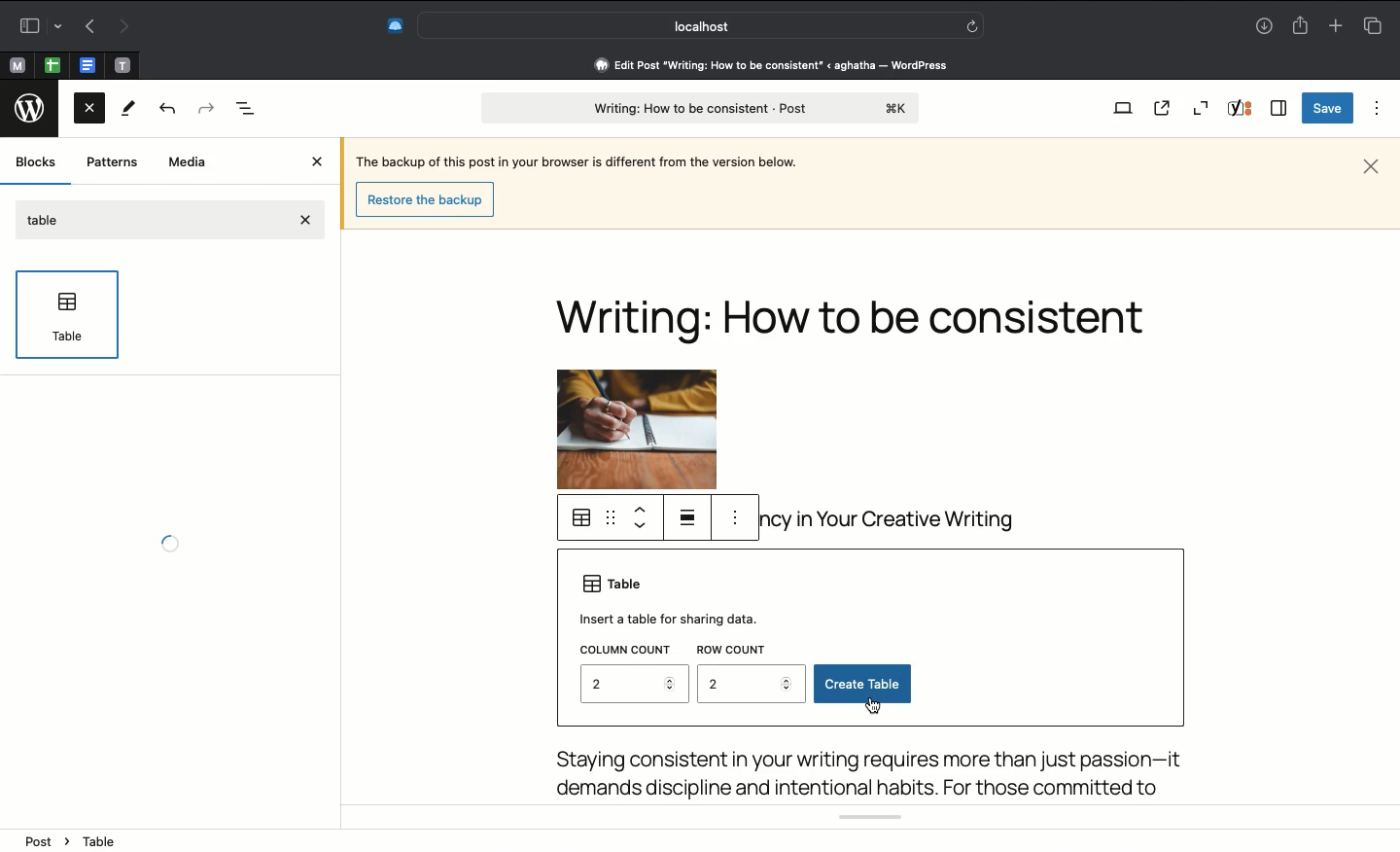 Image resolution: width=1400 pixels, height=852 pixels. I want to click on Sidebar, so click(1279, 107).